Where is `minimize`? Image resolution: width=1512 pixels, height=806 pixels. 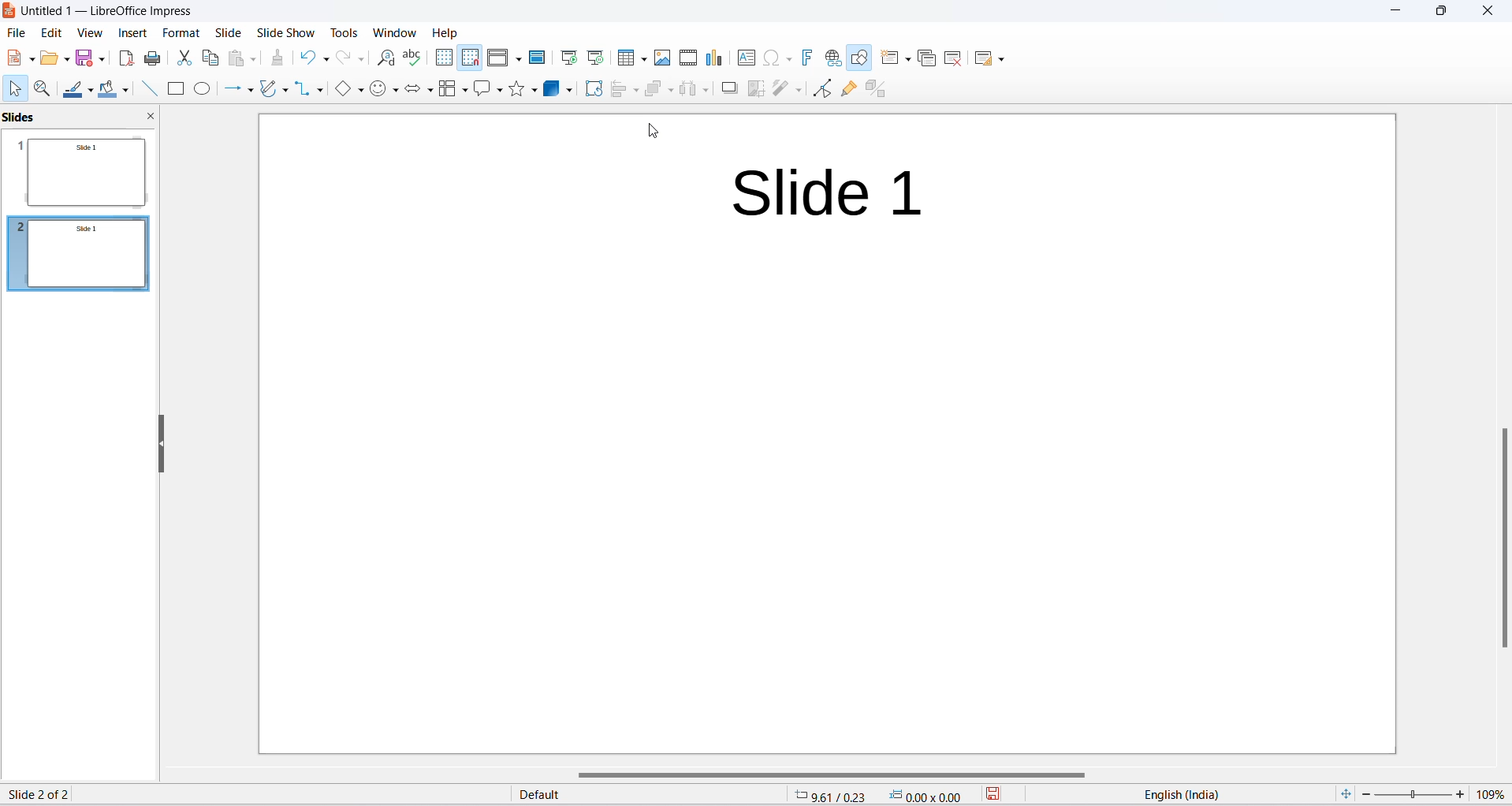
minimize is located at coordinates (1391, 10).